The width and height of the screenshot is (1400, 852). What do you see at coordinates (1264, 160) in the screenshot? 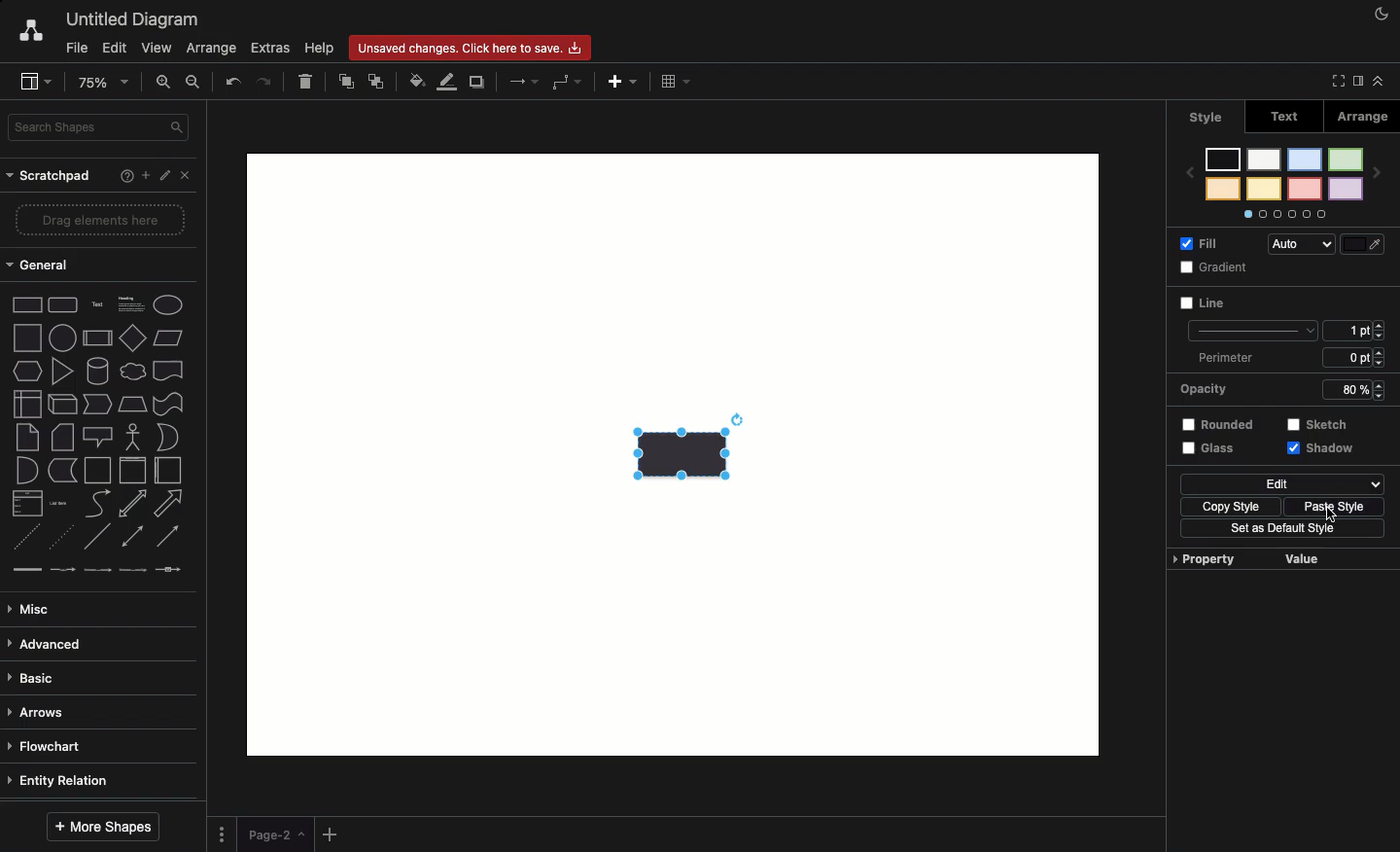
I see `color 5` at bounding box center [1264, 160].